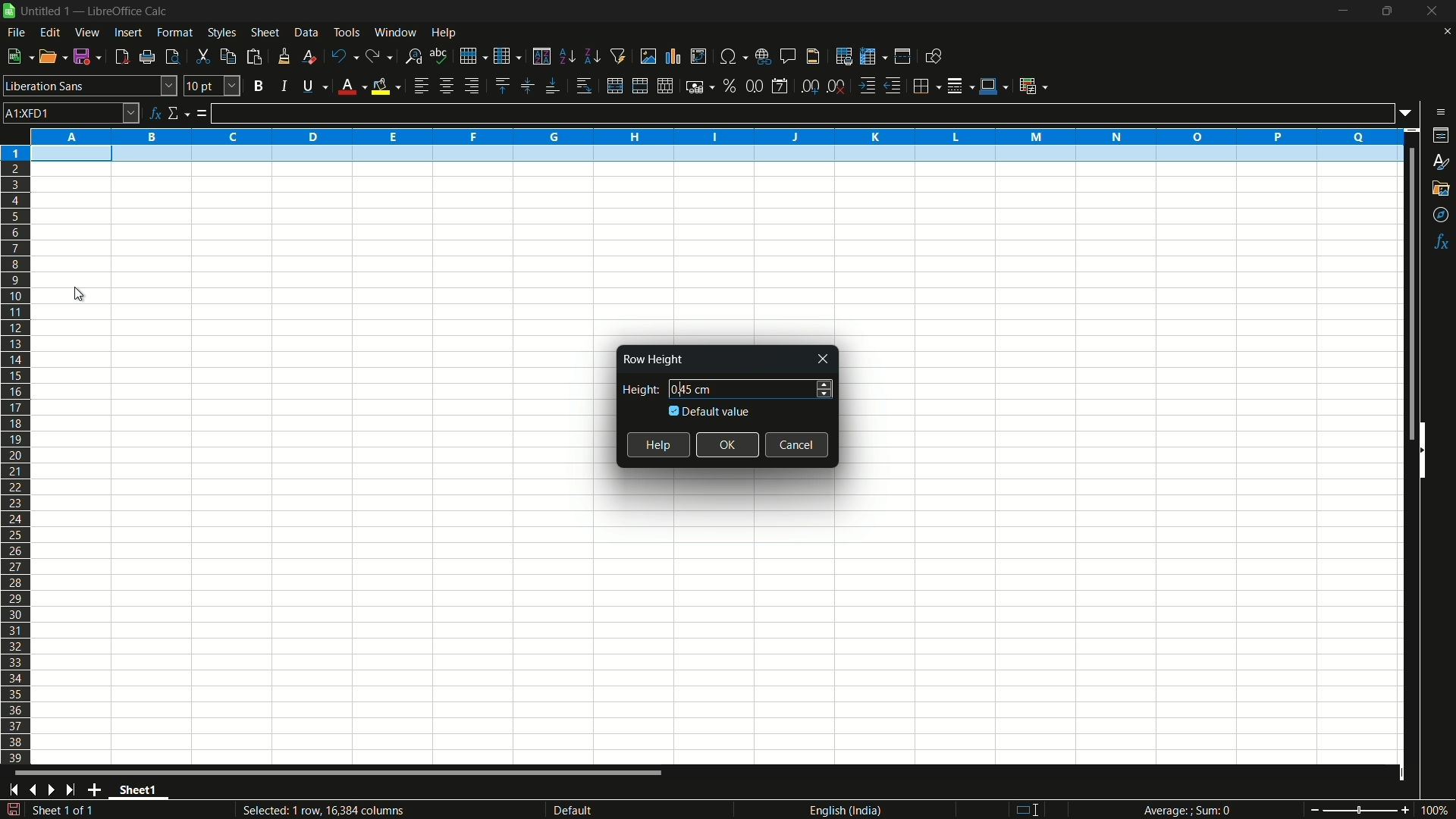  What do you see at coordinates (1442, 135) in the screenshot?
I see `properties` at bounding box center [1442, 135].